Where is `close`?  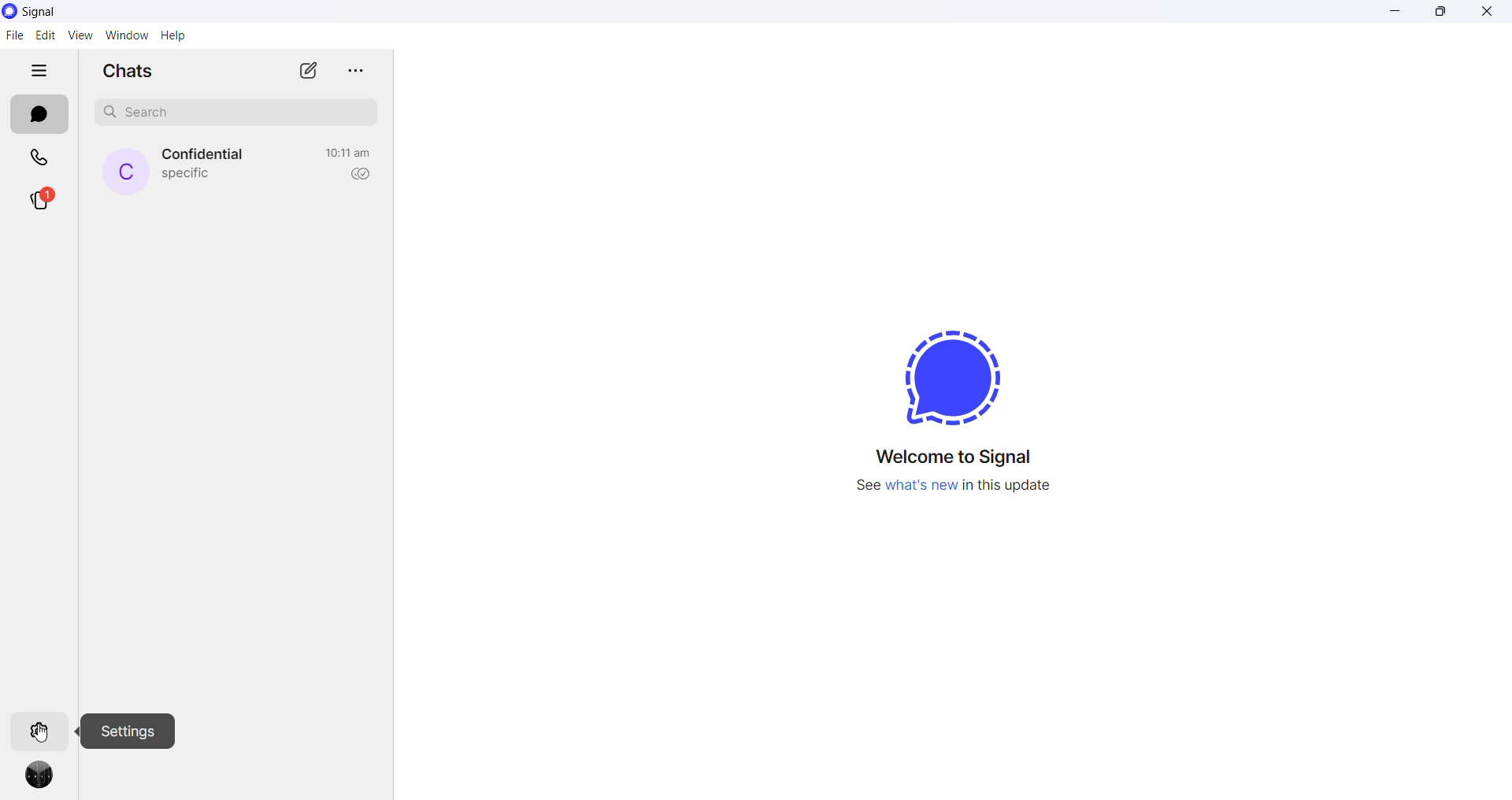 close is located at coordinates (1486, 14).